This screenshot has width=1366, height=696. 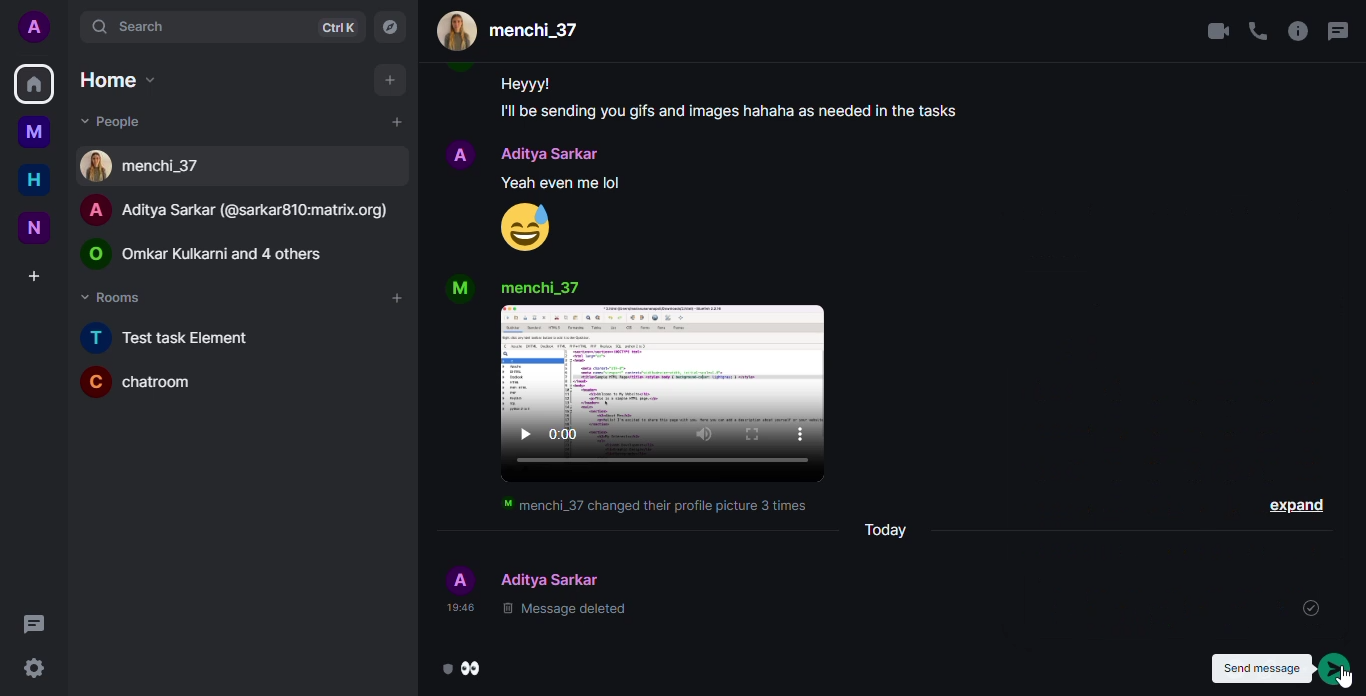 What do you see at coordinates (34, 229) in the screenshot?
I see `new` at bounding box center [34, 229].